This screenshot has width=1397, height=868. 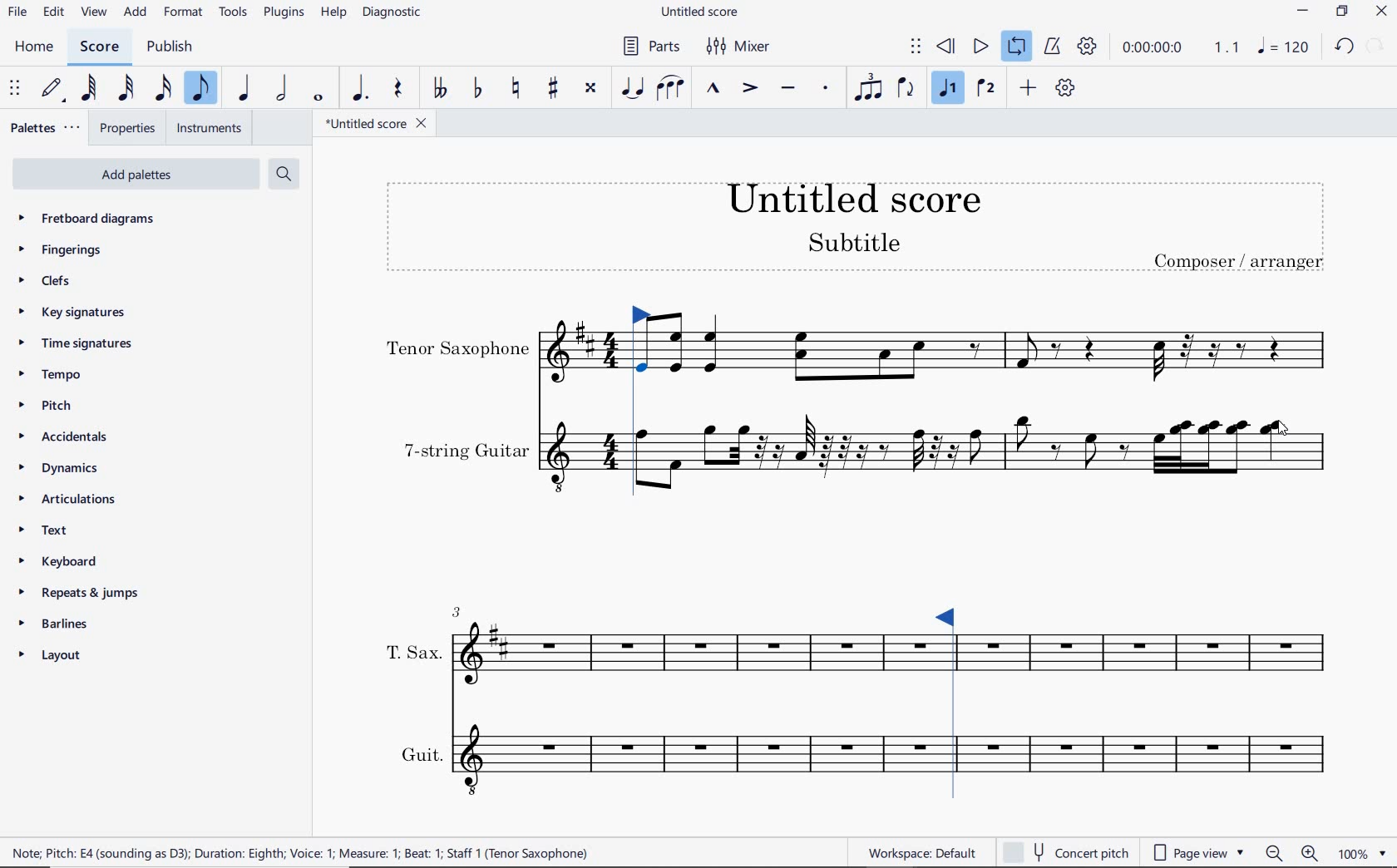 I want to click on TEMPO, so click(x=49, y=374).